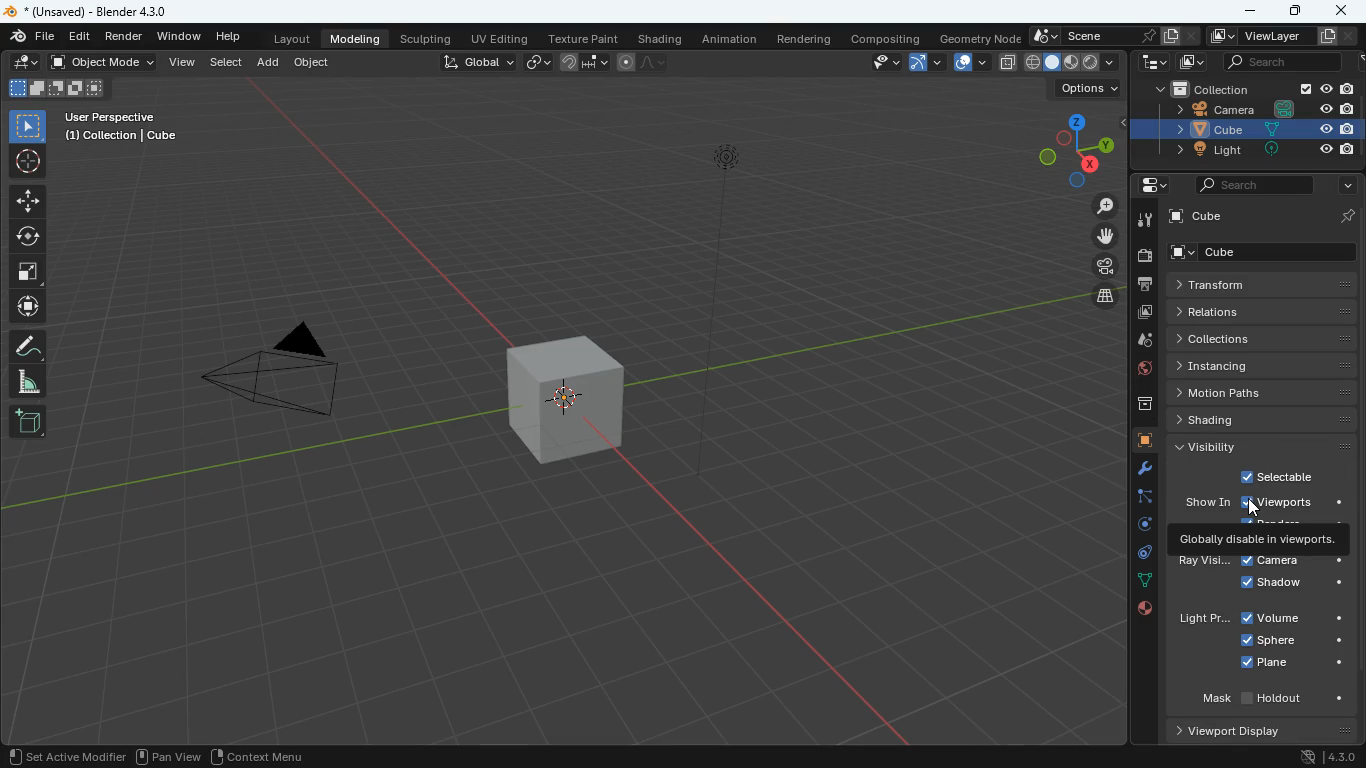 The width and height of the screenshot is (1366, 768). Describe the element at coordinates (1102, 297) in the screenshot. I see `layers` at that location.